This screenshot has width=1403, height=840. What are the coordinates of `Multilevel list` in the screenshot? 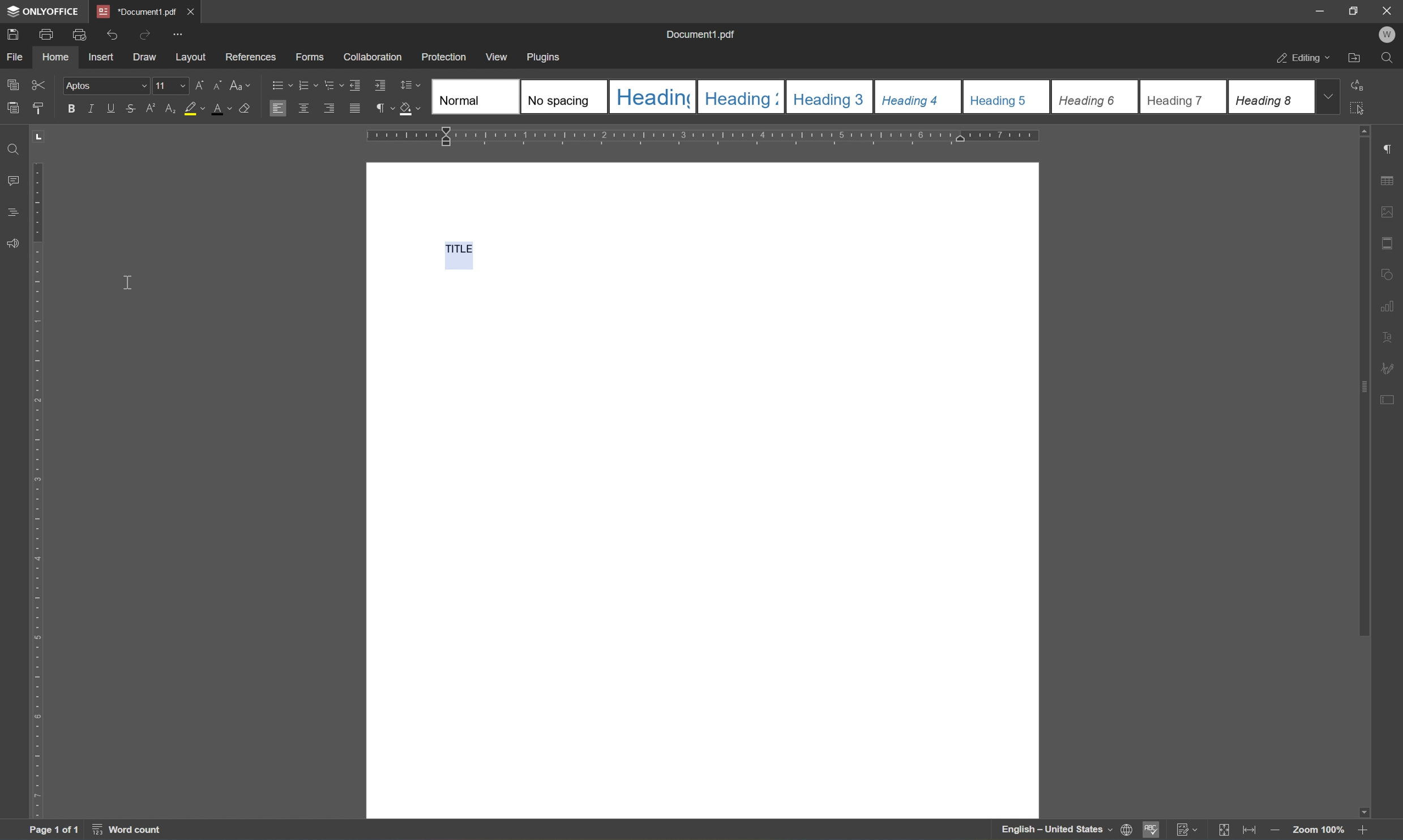 It's located at (332, 84).